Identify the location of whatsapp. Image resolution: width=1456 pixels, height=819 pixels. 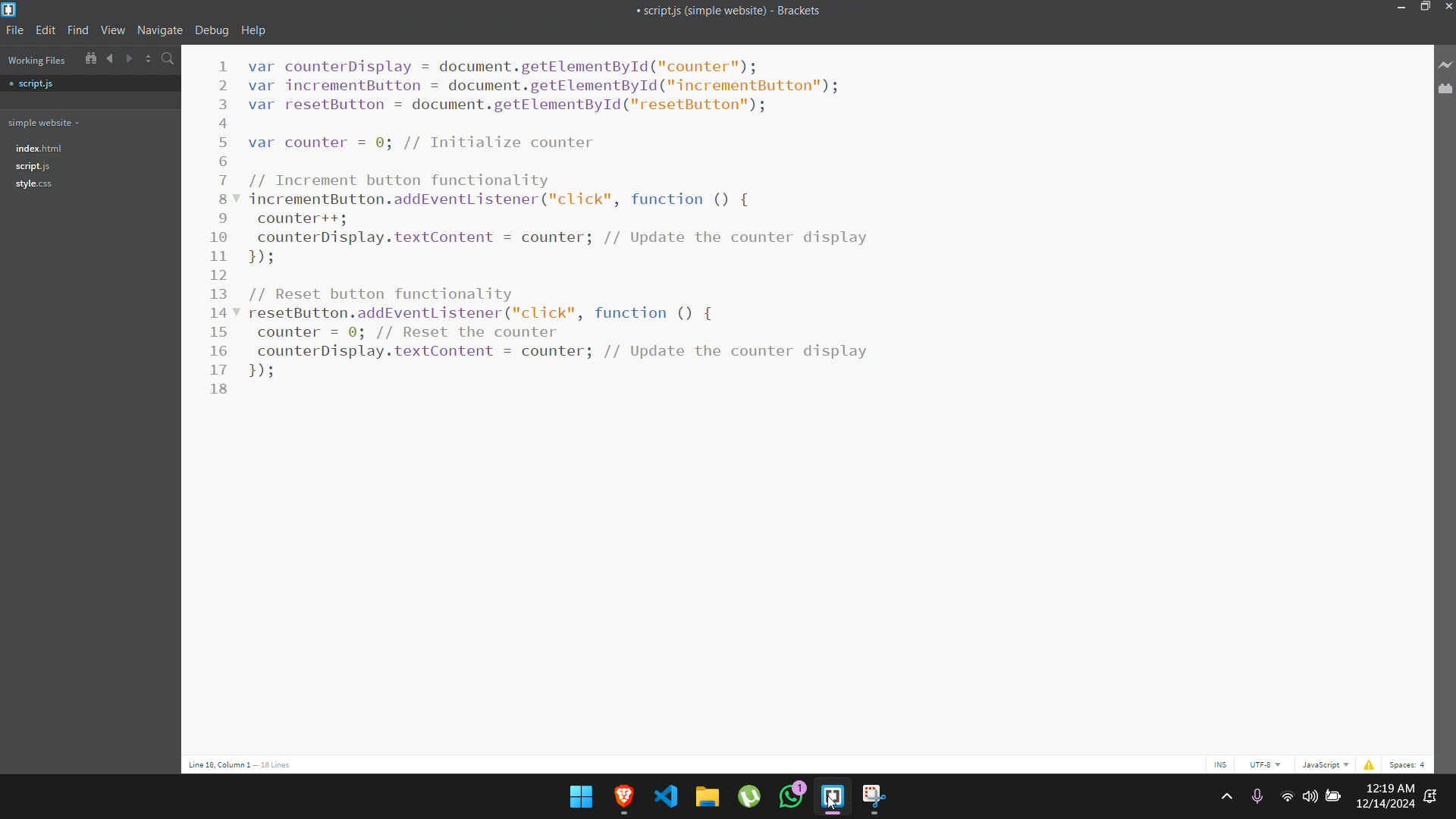
(793, 795).